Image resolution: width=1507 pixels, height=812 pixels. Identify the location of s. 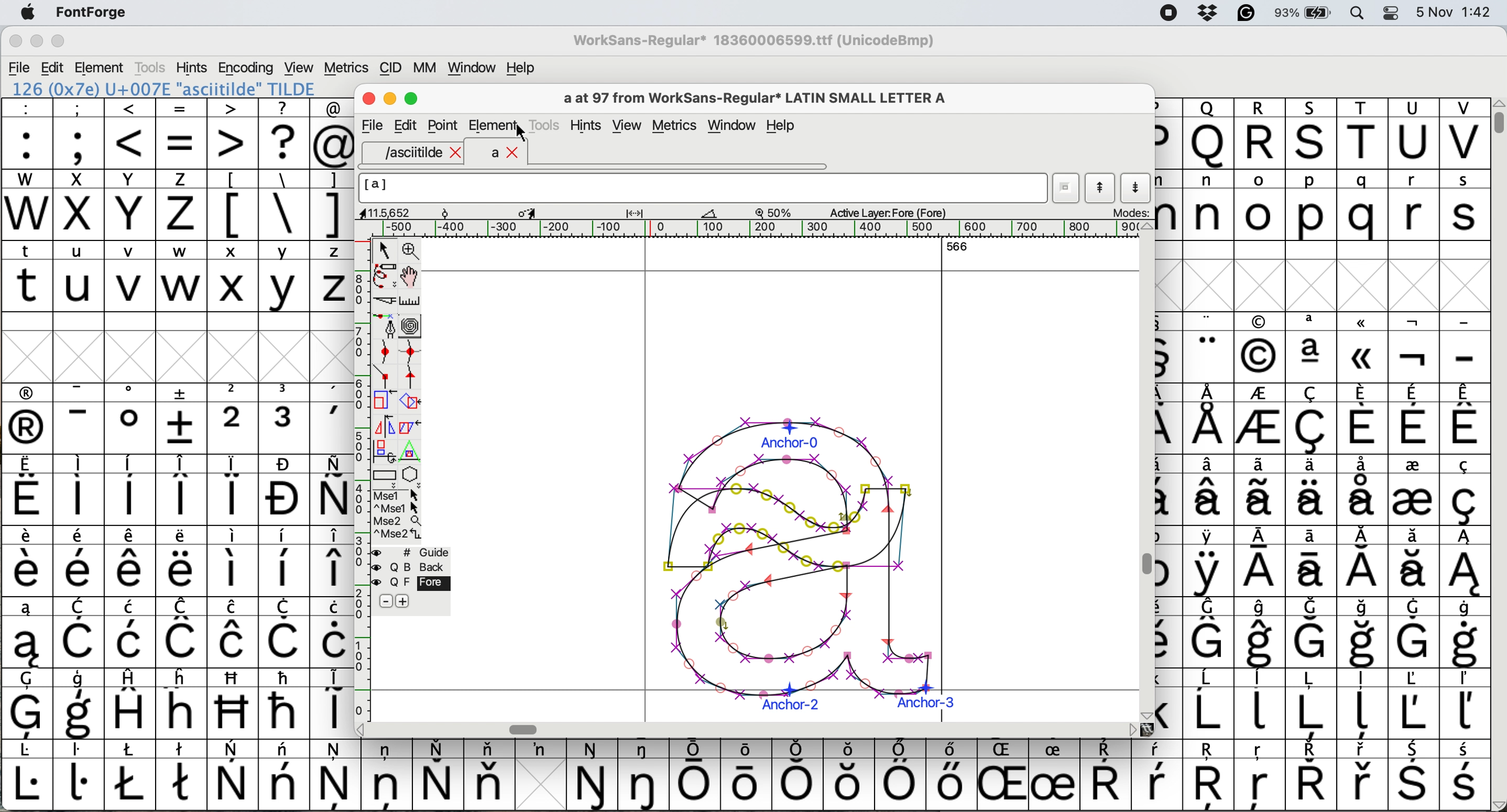
(1465, 205).